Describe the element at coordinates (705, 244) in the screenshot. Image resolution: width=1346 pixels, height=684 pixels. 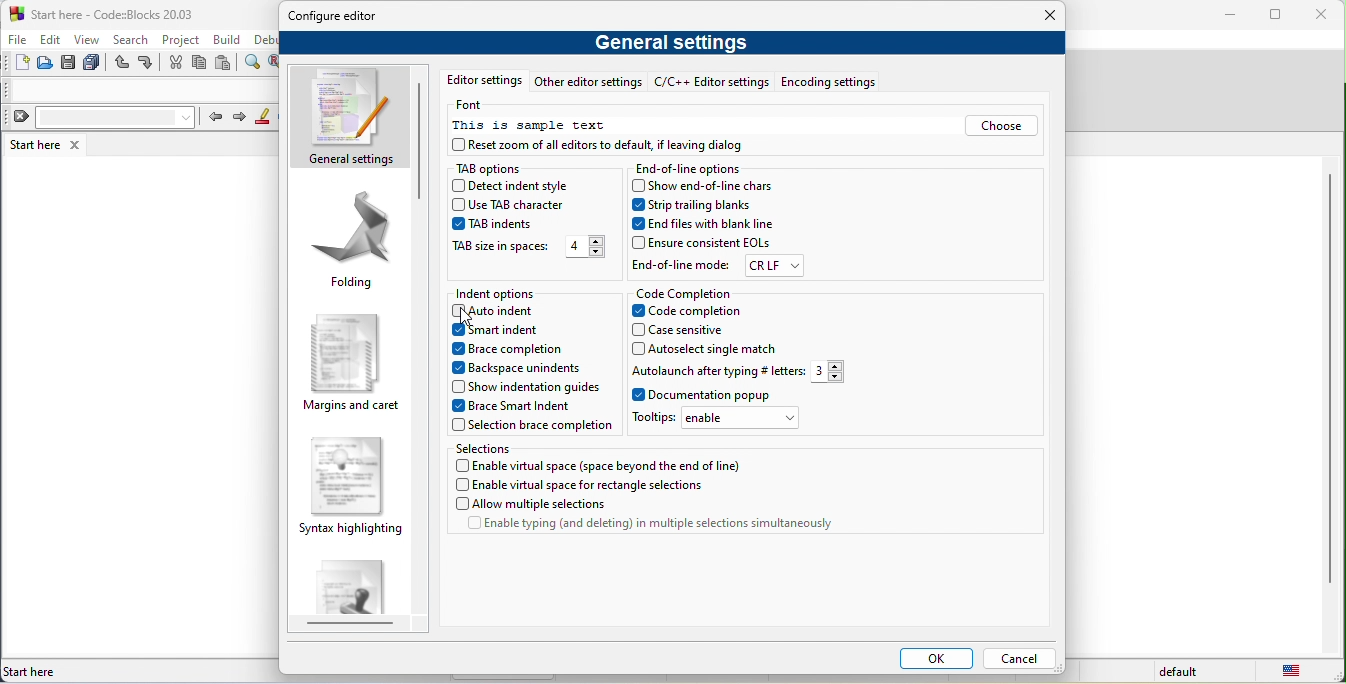
I see `ensure consistent eols` at that location.